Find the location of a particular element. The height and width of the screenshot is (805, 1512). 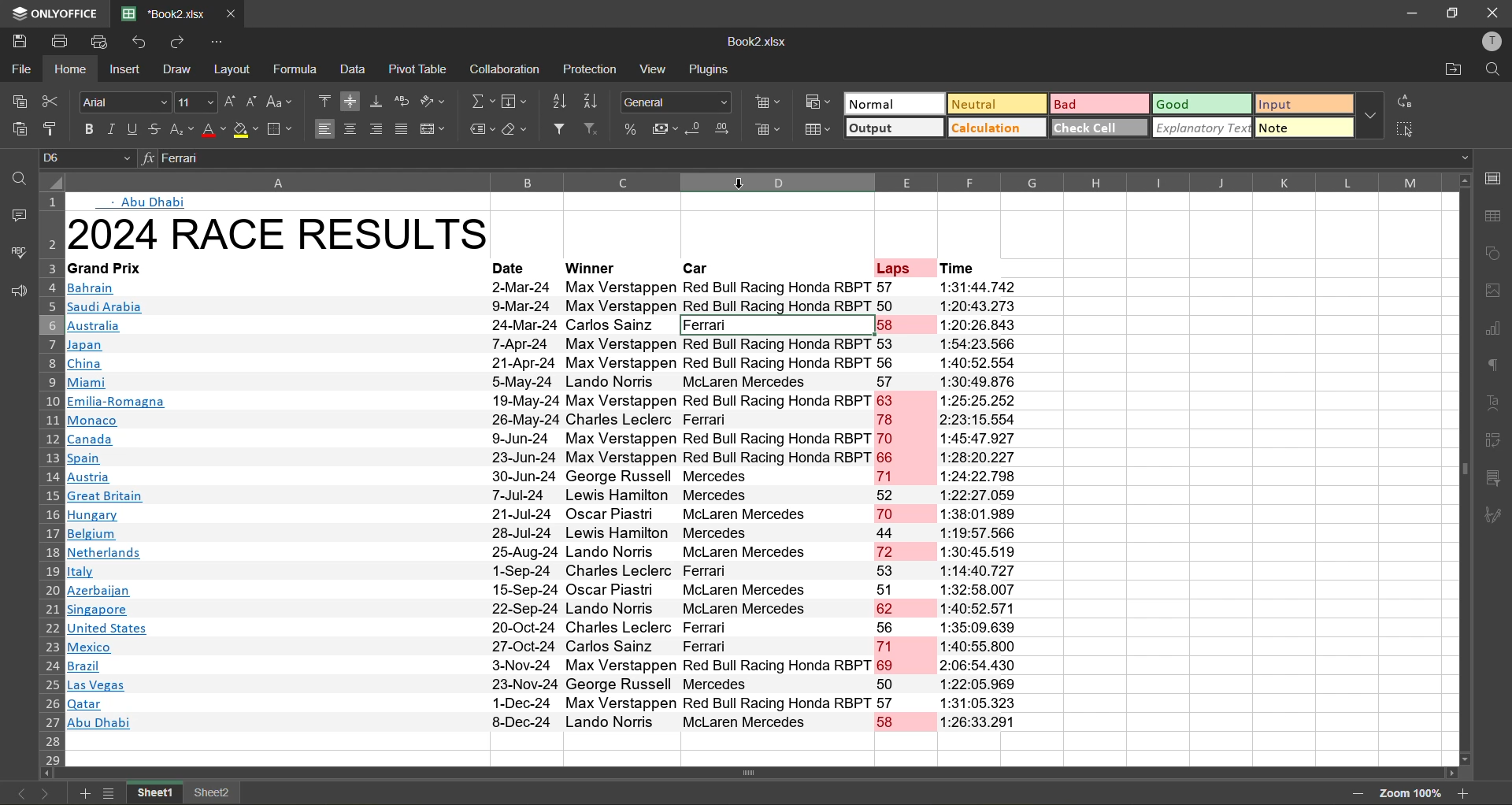

call settings is located at coordinates (1497, 175).